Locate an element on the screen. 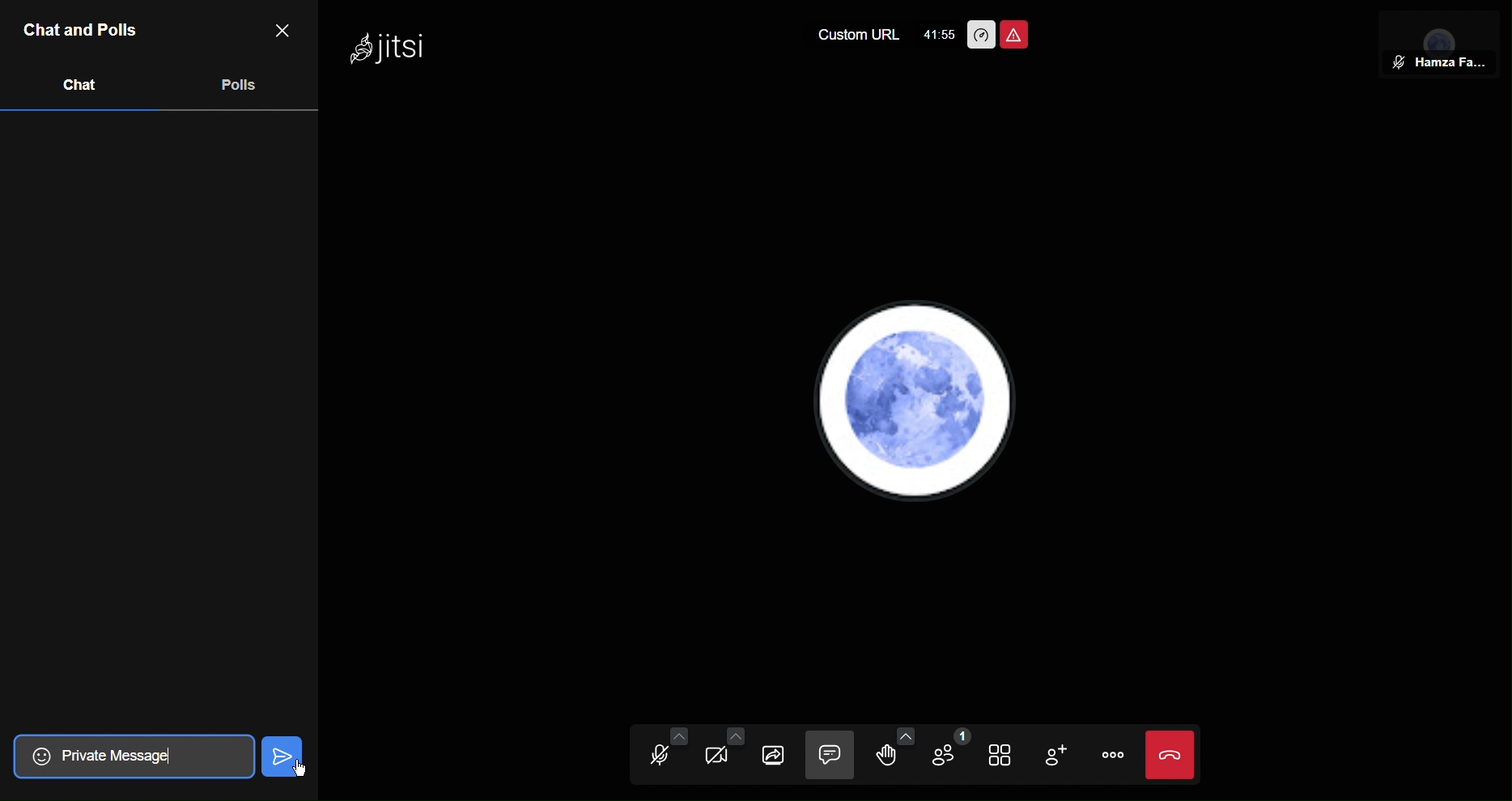 This screenshot has height=801, width=1512. Performance Settings is located at coordinates (977, 34).